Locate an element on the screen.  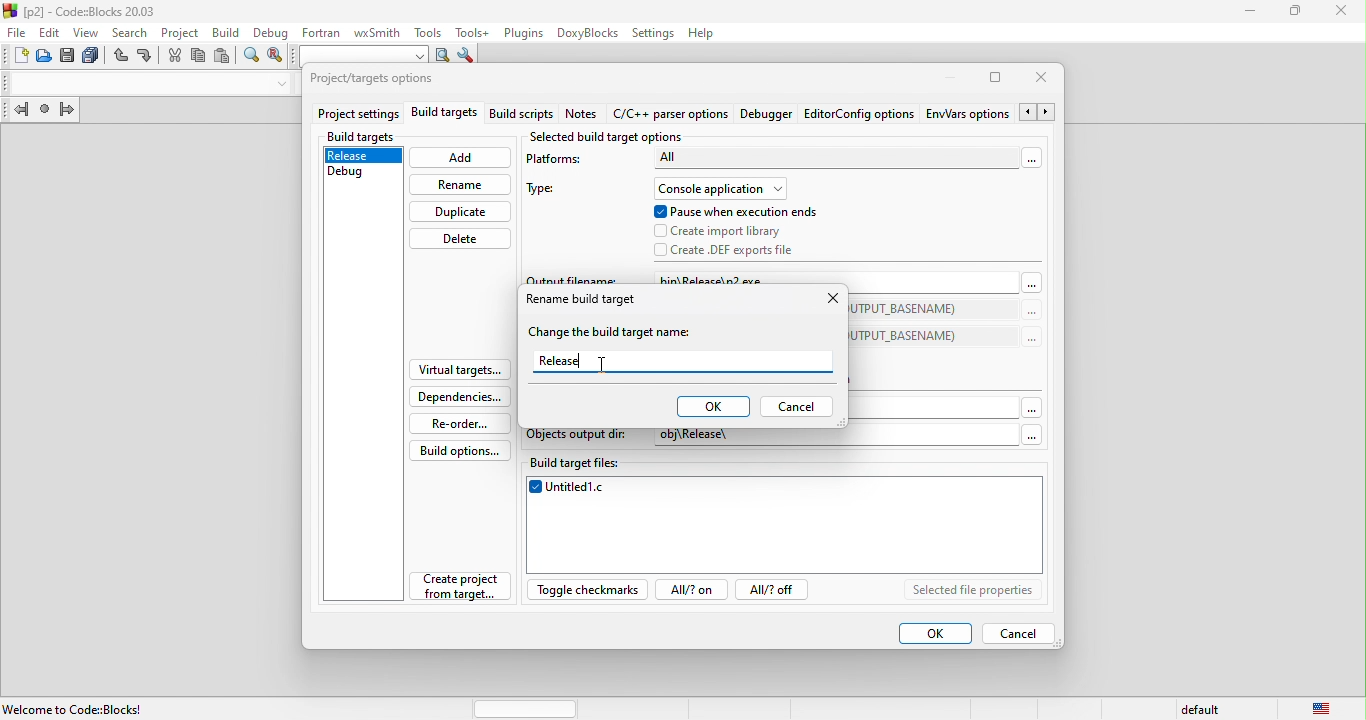
debug is located at coordinates (269, 31).